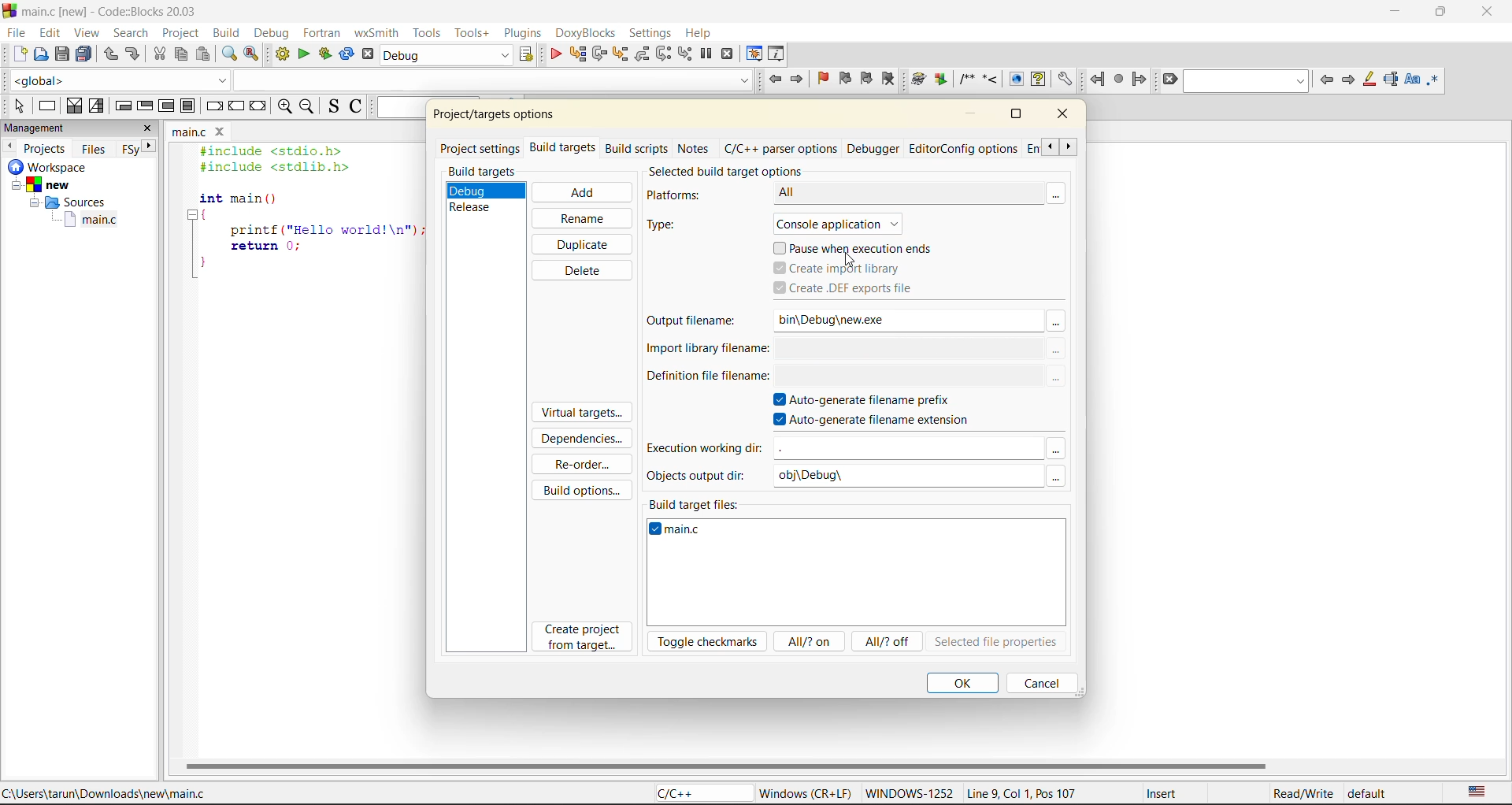 This screenshot has height=805, width=1512. I want to click on #include <stdio.h>

#include <stdlib.h>

int main ()

{
printf ("Hello world!\n");
return 0;

}, so click(305, 215).